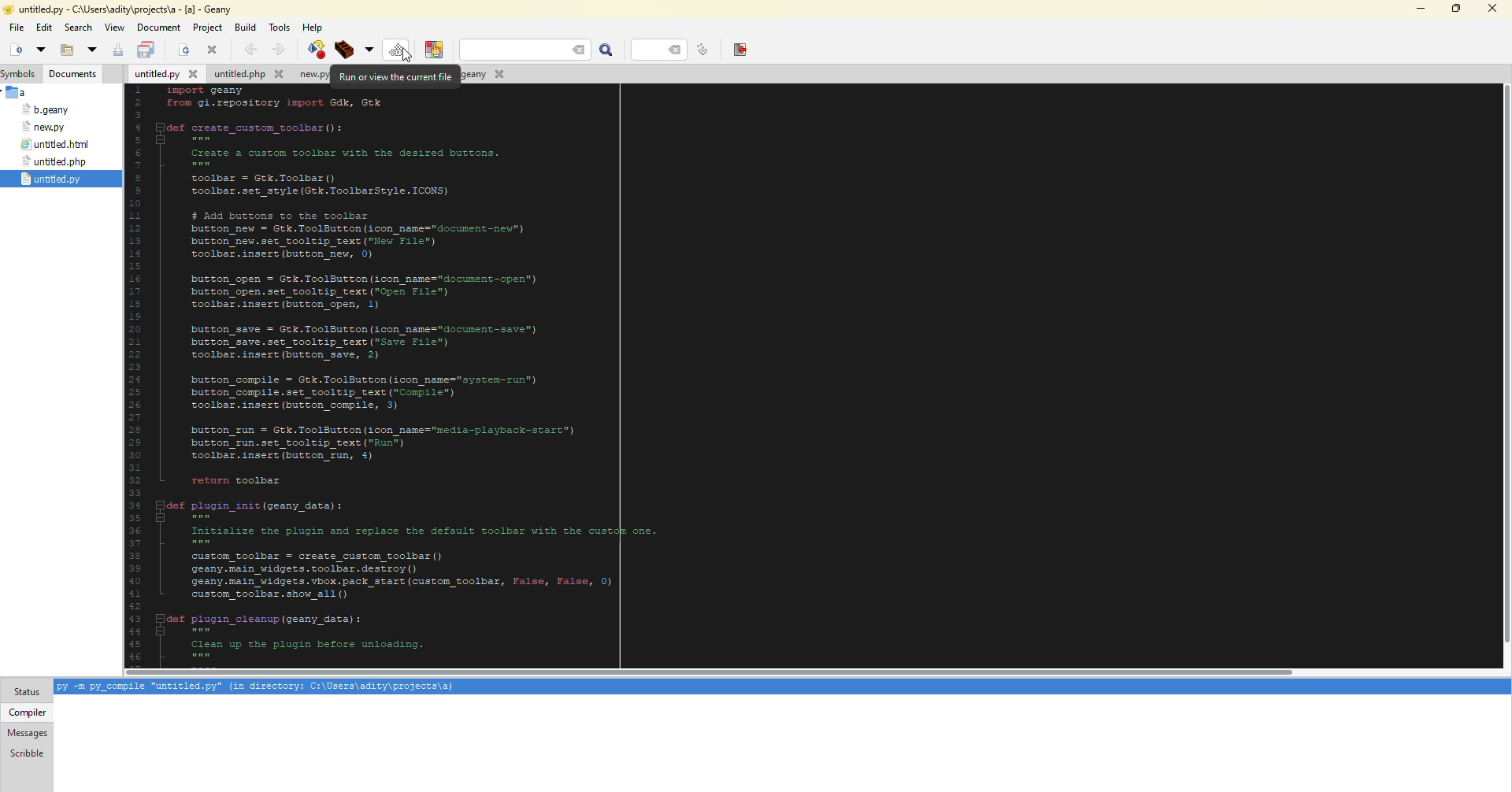  I want to click on open, so click(67, 50).